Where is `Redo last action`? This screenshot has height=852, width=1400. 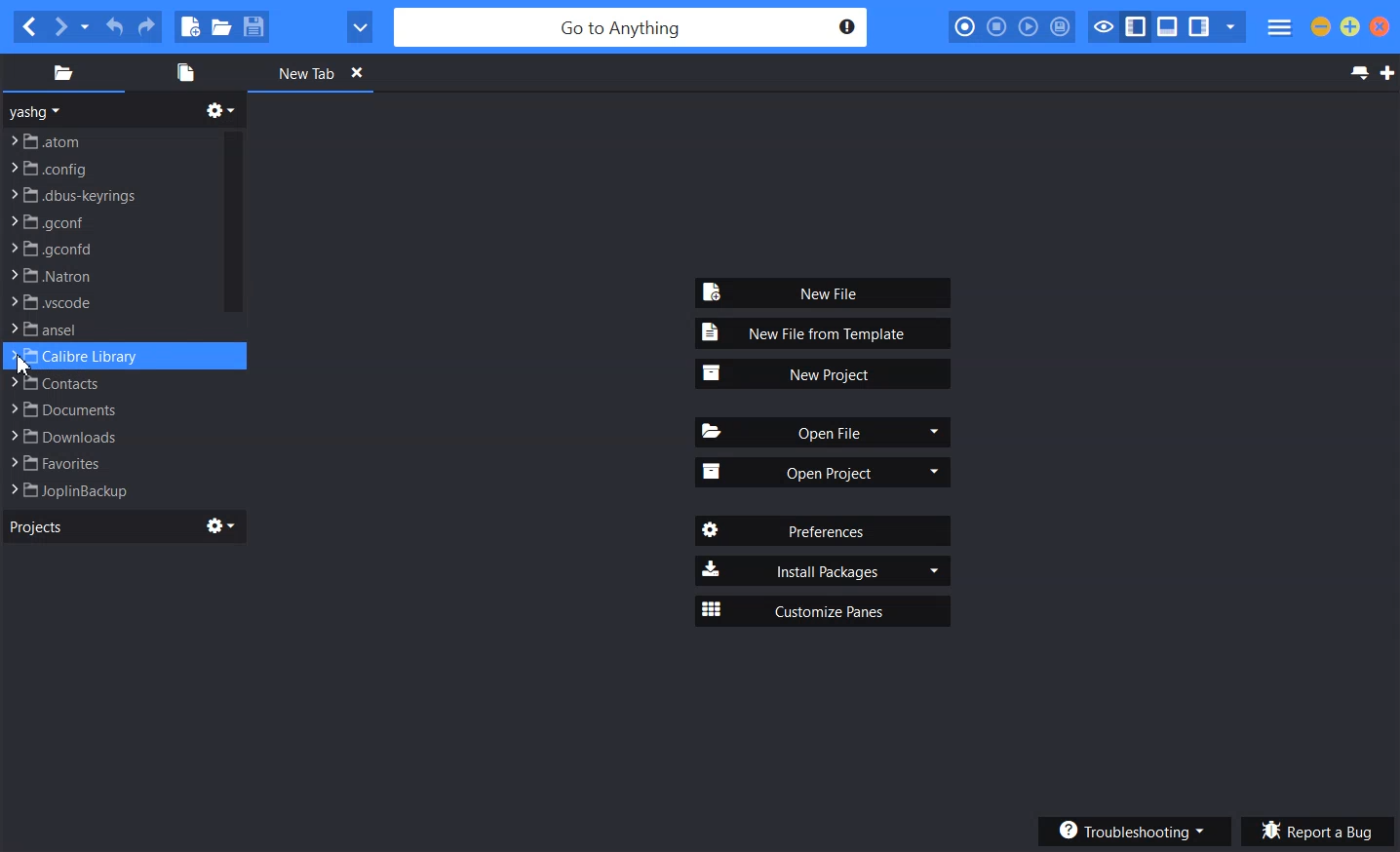 Redo last action is located at coordinates (145, 27).